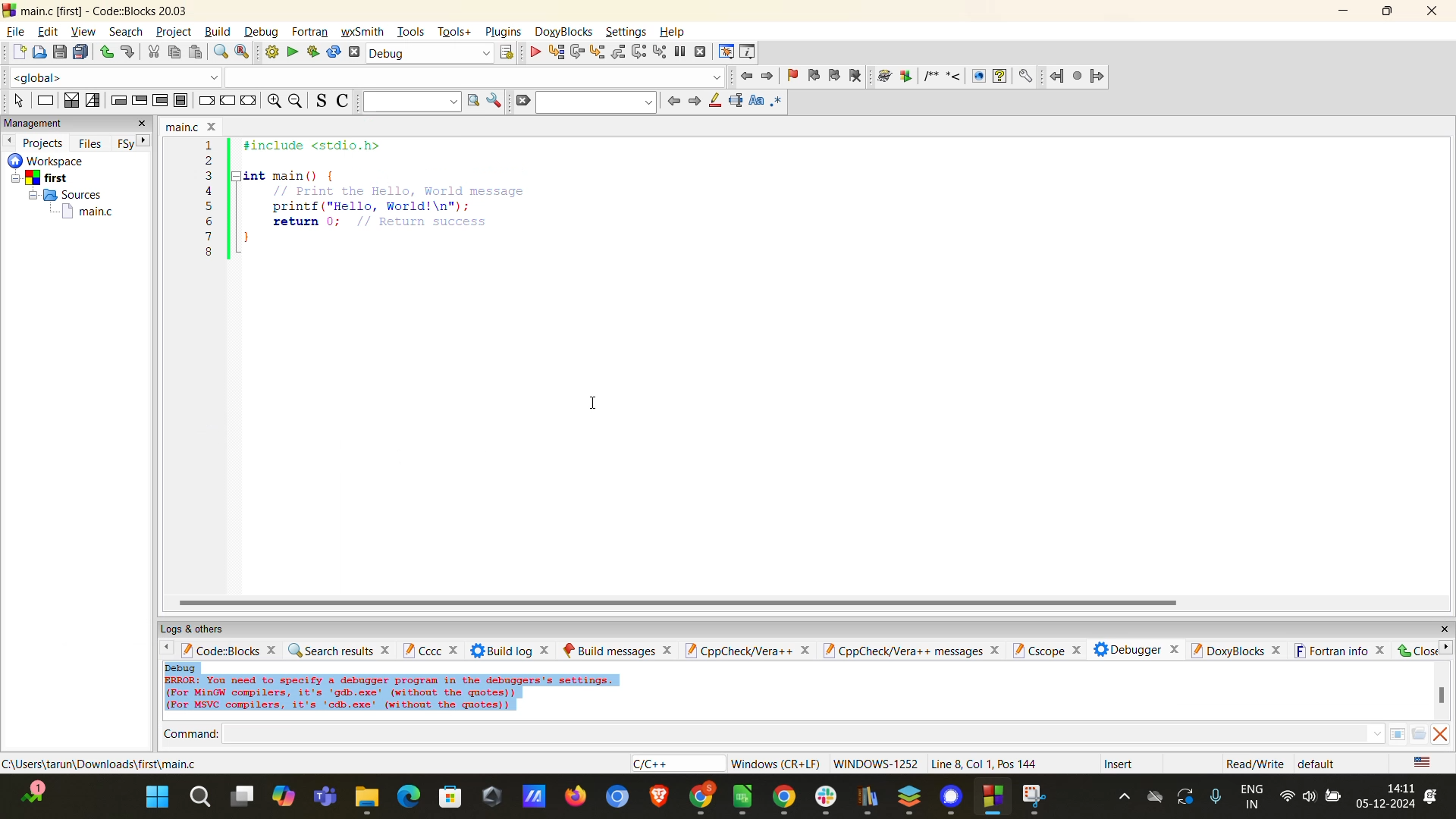 The width and height of the screenshot is (1456, 819). Describe the element at coordinates (490, 797) in the screenshot. I see `logo ` at that location.